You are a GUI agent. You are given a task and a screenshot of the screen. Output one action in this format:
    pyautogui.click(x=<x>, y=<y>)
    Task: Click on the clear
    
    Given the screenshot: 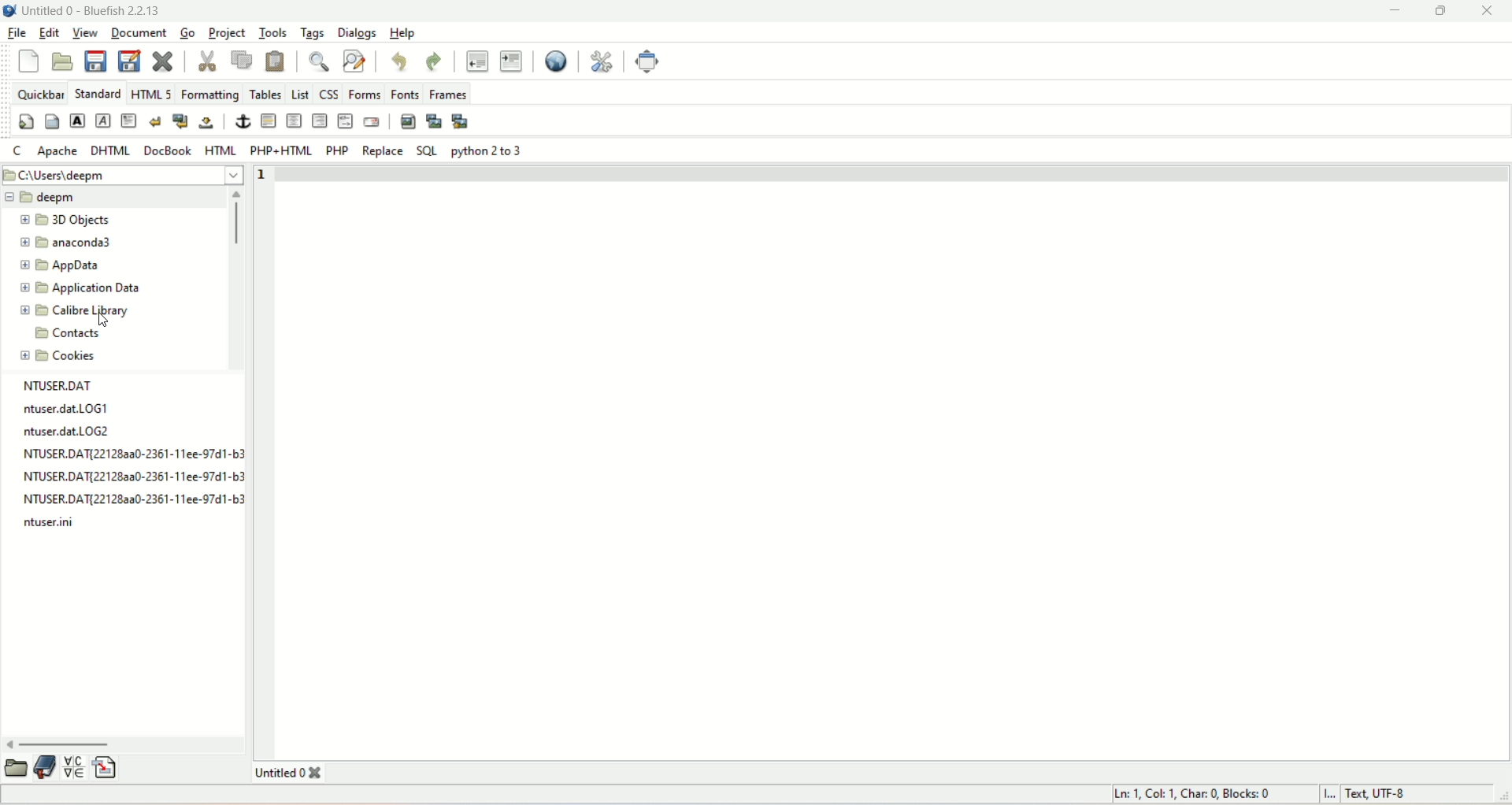 What is the action you would take?
    pyautogui.click(x=154, y=120)
    